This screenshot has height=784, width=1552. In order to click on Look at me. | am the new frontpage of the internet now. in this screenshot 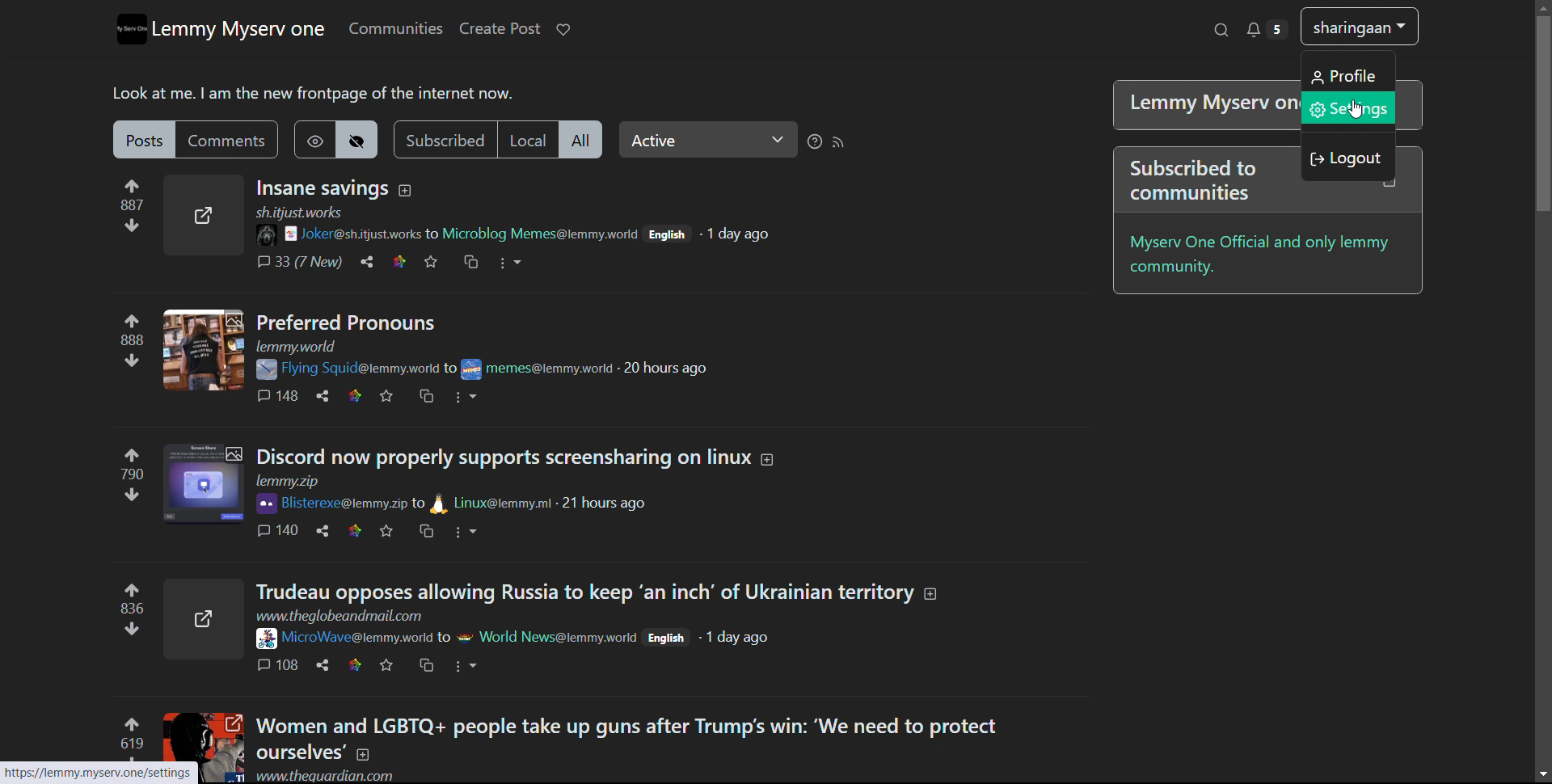, I will do `click(309, 94)`.